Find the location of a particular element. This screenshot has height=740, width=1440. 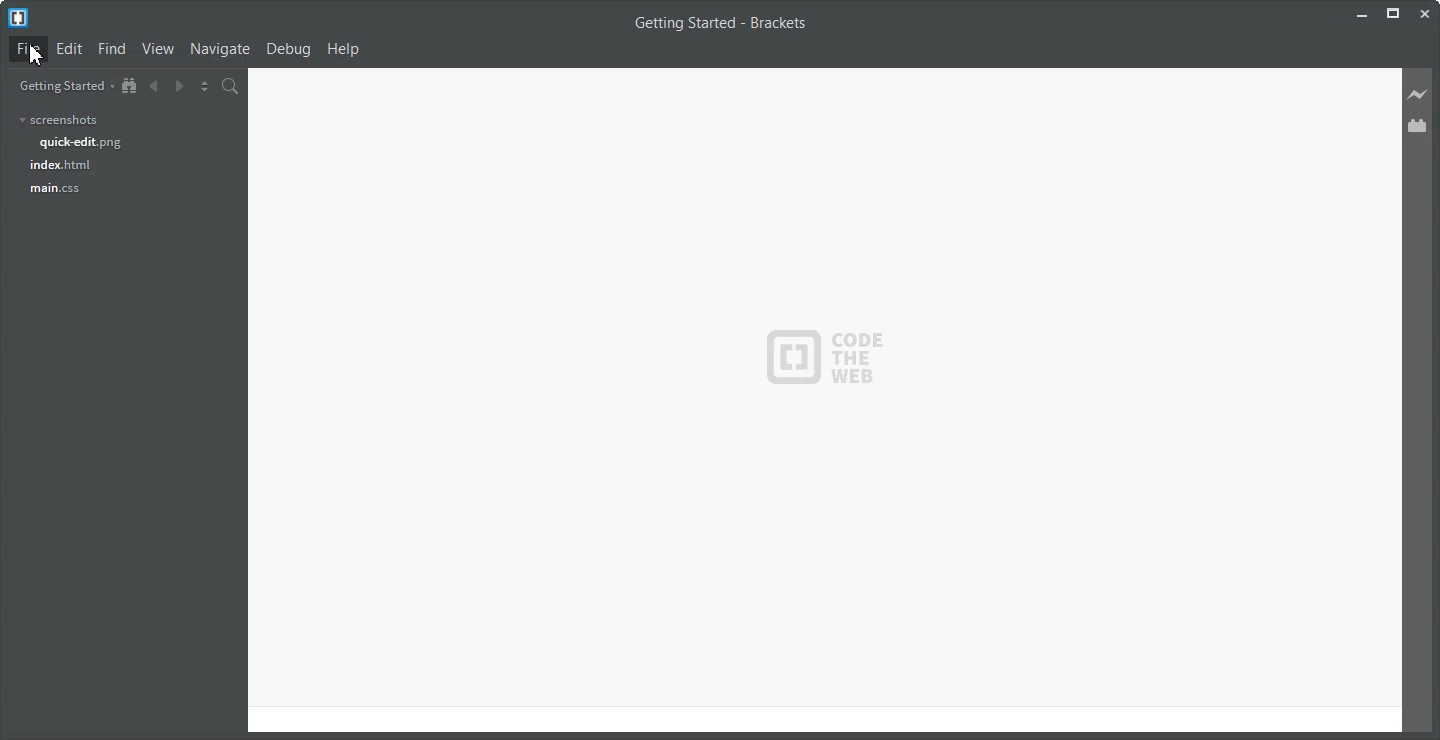

File is located at coordinates (29, 50).